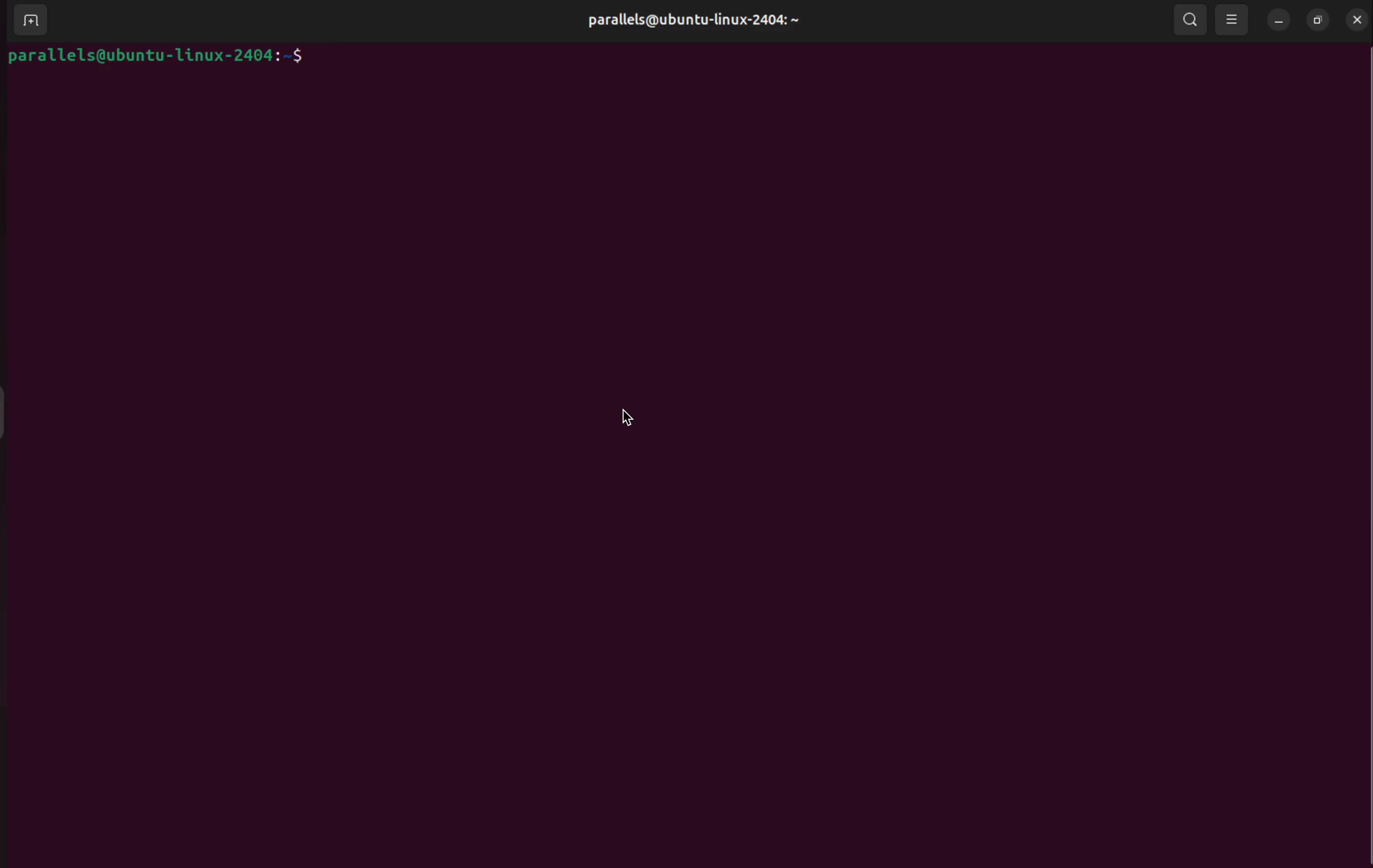 The width and height of the screenshot is (1373, 868). I want to click on close, so click(1358, 19).